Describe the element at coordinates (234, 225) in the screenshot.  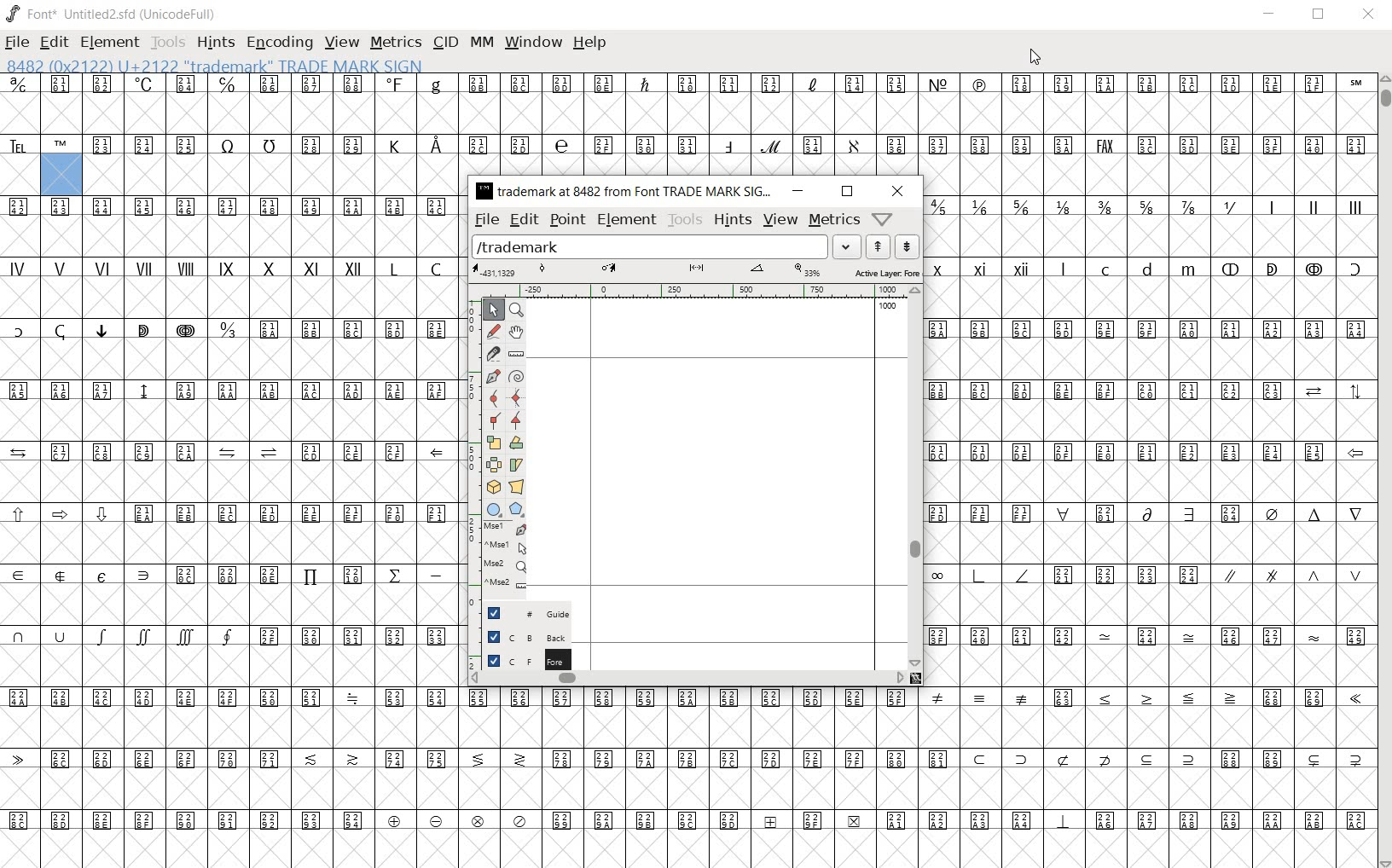
I see `symbol` at that location.